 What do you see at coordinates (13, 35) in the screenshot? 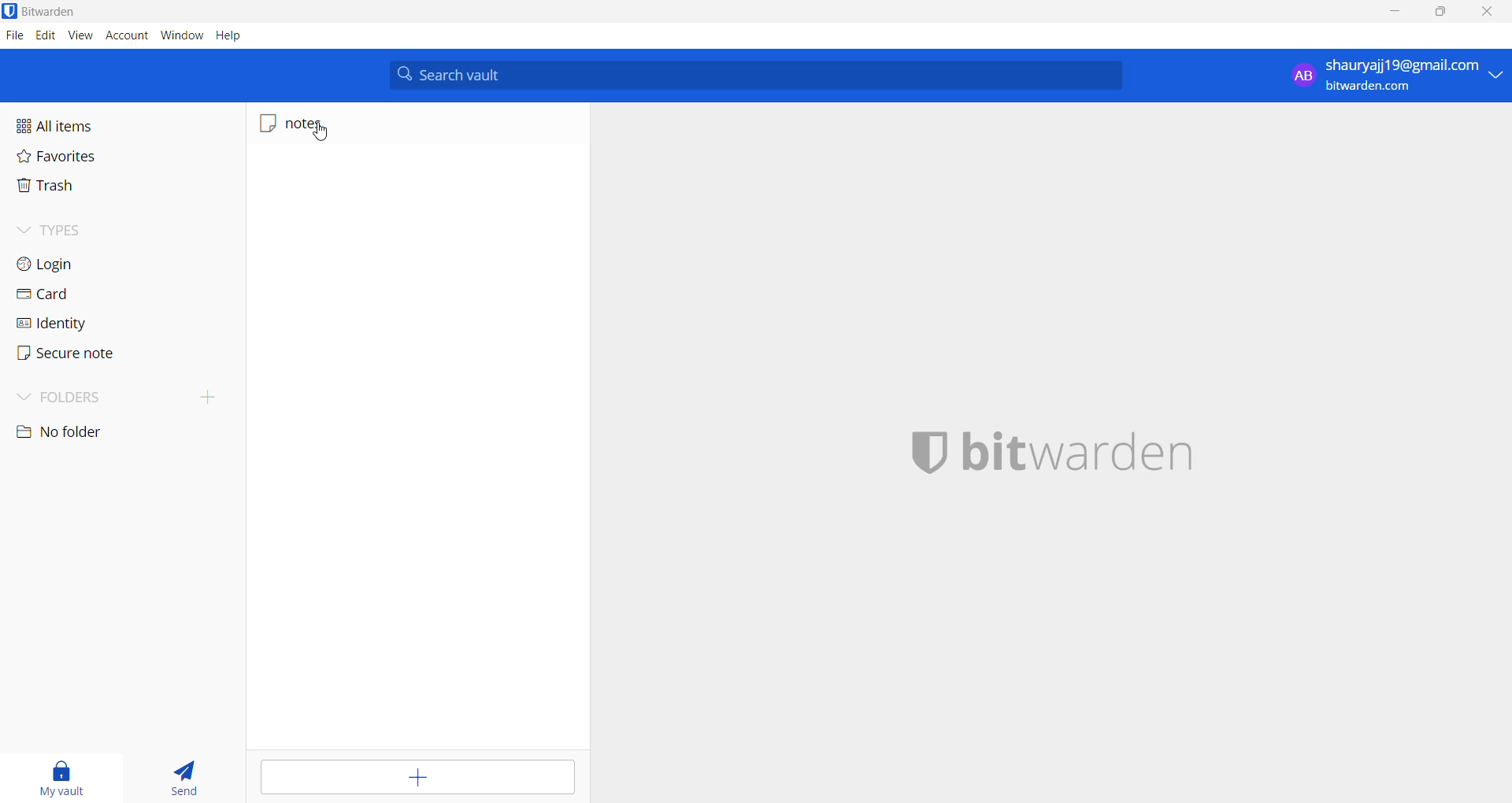
I see `files` at bounding box center [13, 35].